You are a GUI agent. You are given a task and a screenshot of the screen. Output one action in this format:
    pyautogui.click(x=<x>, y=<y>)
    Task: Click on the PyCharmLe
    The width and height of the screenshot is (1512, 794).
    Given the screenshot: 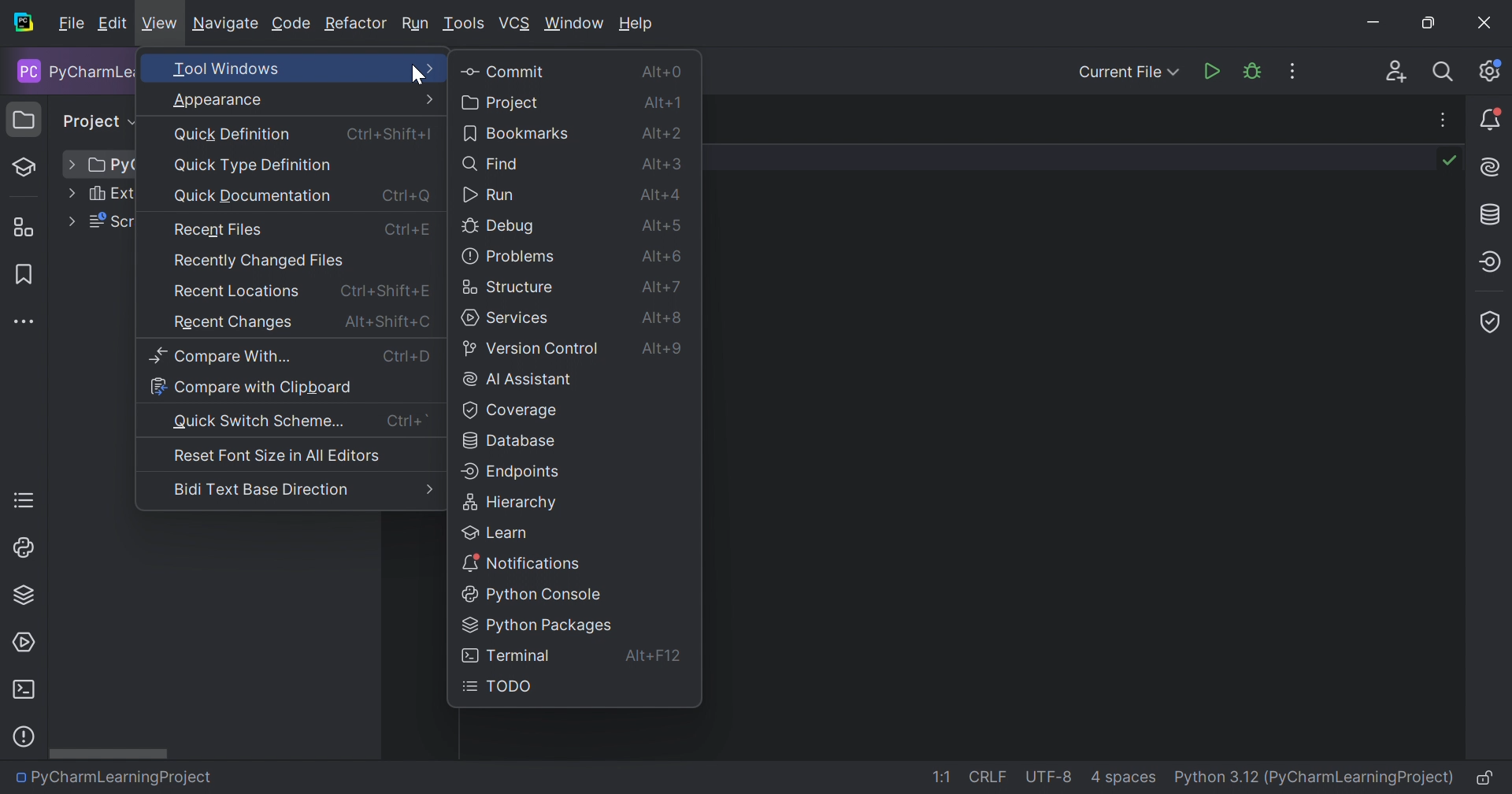 What is the action you would take?
    pyautogui.click(x=72, y=72)
    